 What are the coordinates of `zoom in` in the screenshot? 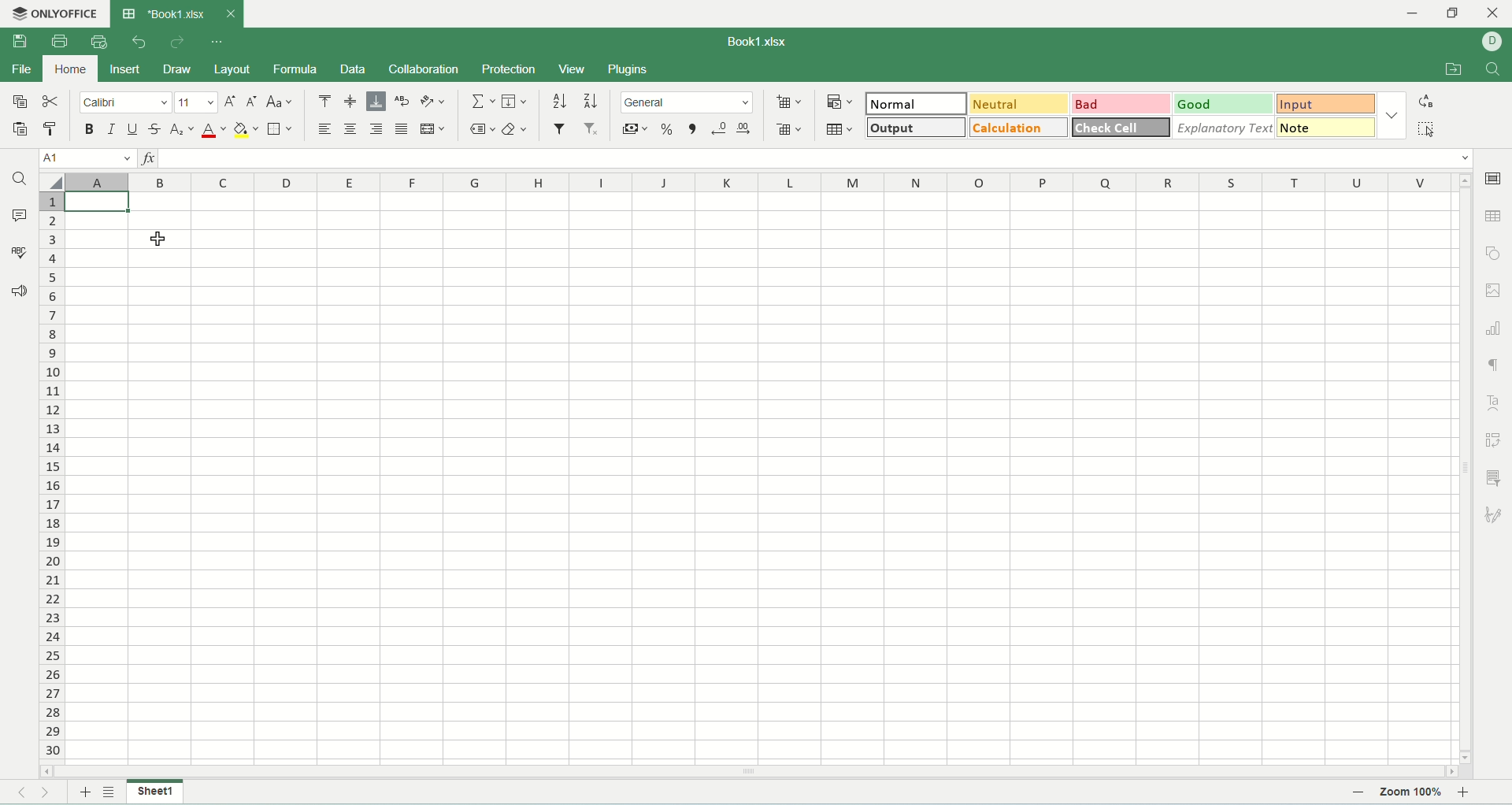 It's located at (1466, 792).